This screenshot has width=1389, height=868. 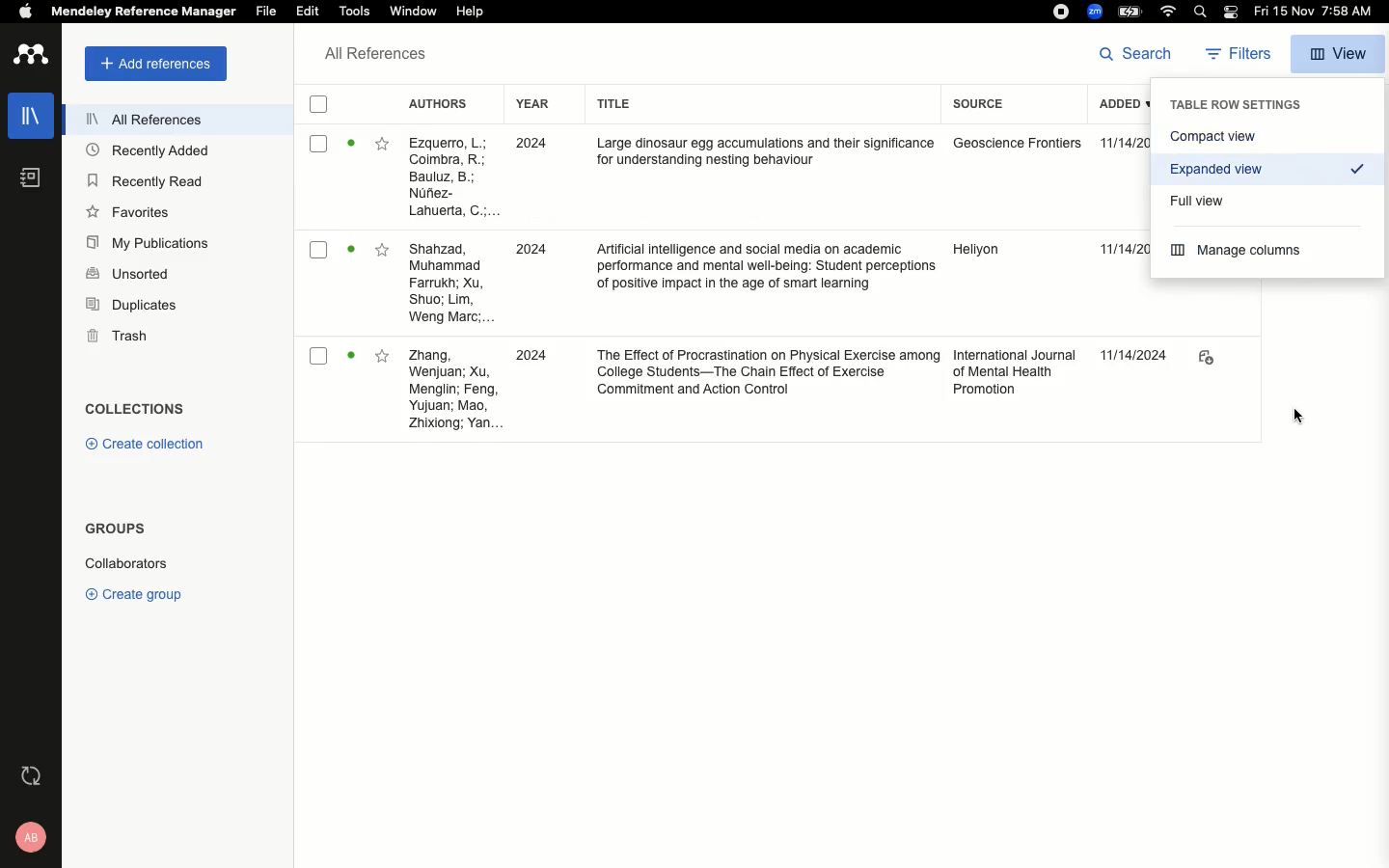 I want to click on 2024, so click(x=528, y=357).